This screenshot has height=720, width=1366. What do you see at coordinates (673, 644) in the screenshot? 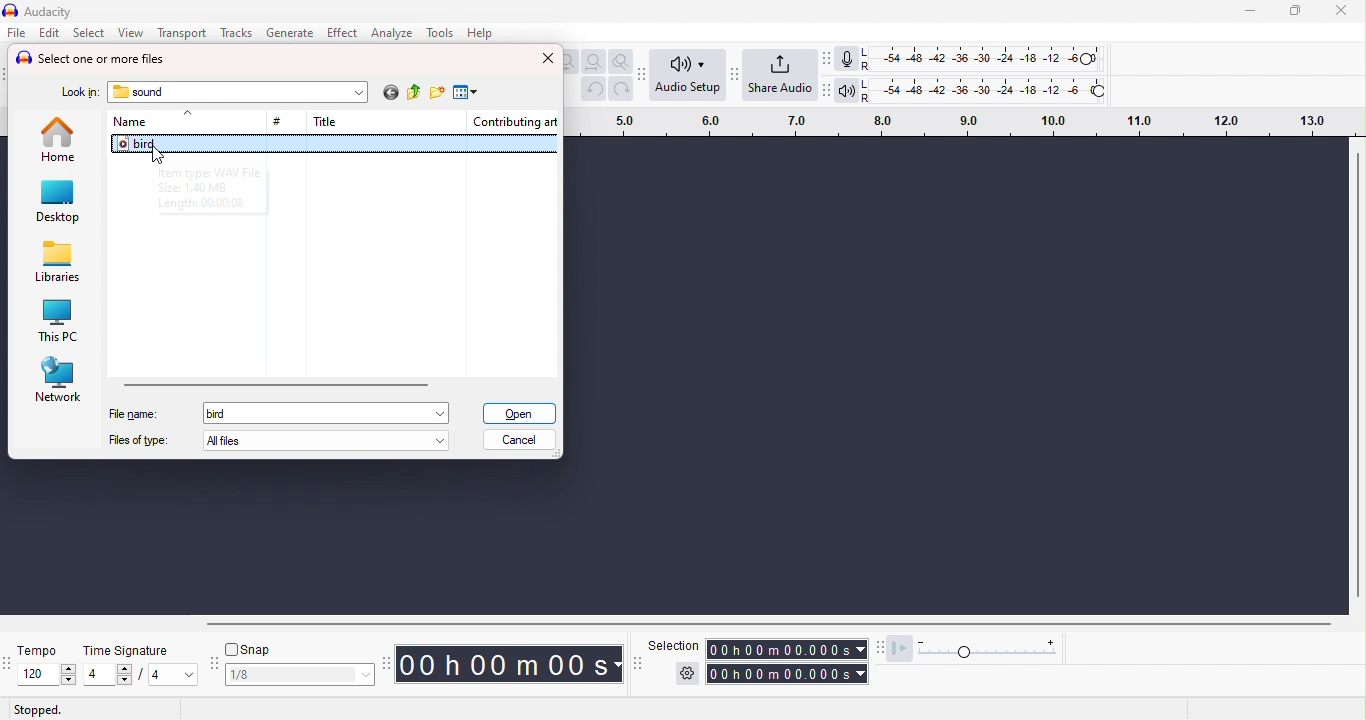
I see `selection` at bounding box center [673, 644].